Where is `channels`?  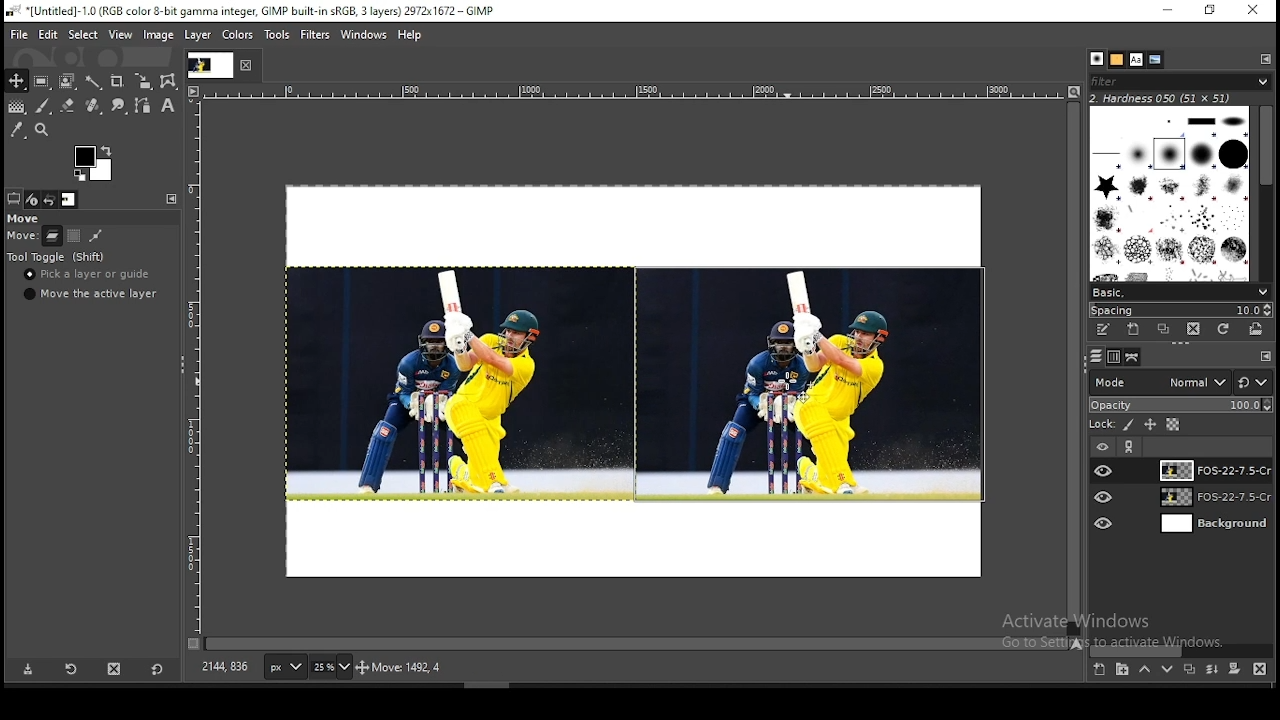 channels is located at coordinates (1112, 358).